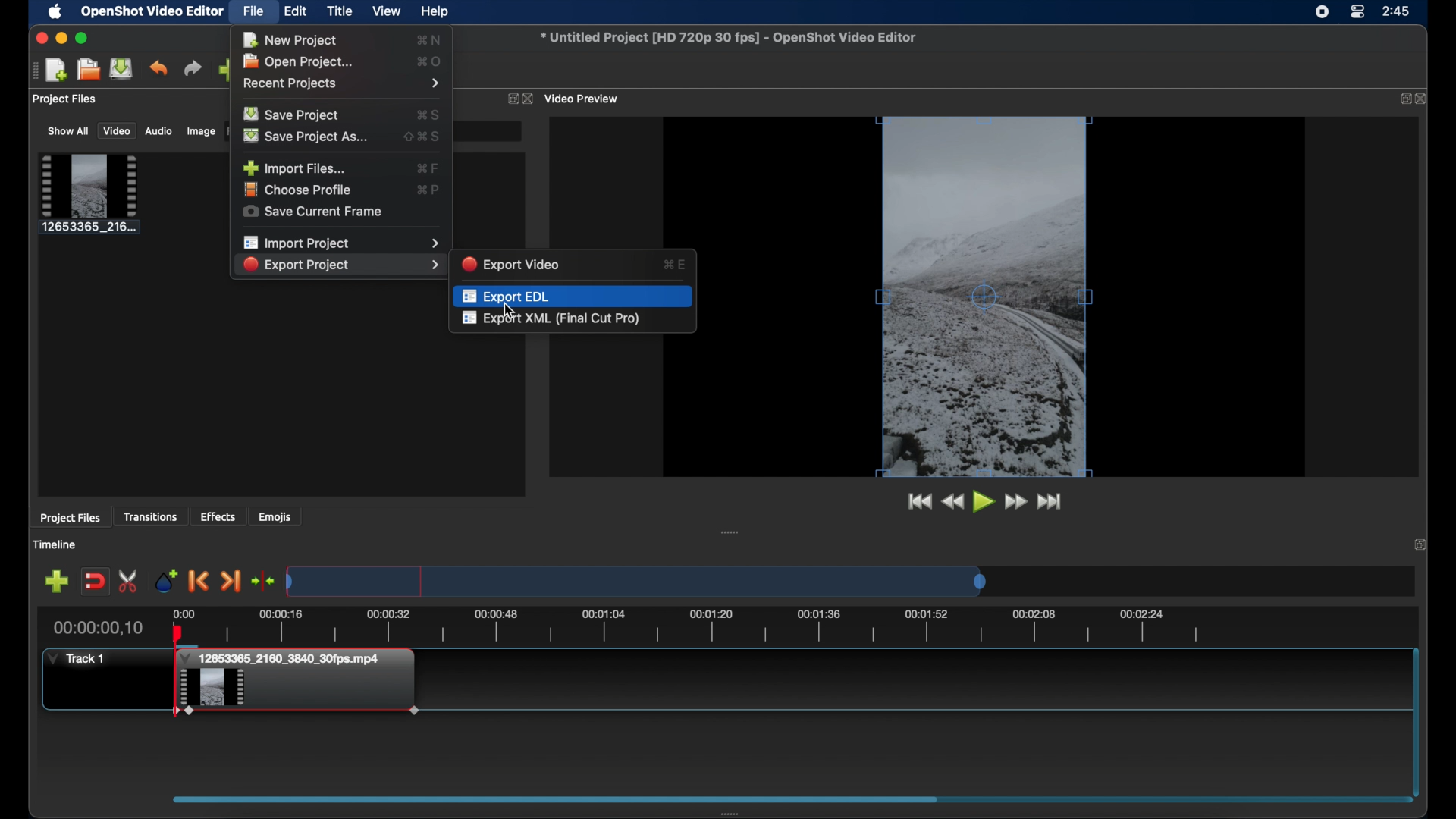 This screenshot has height=819, width=1456. Describe the element at coordinates (584, 99) in the screenshot. I see `video preview` at that location.